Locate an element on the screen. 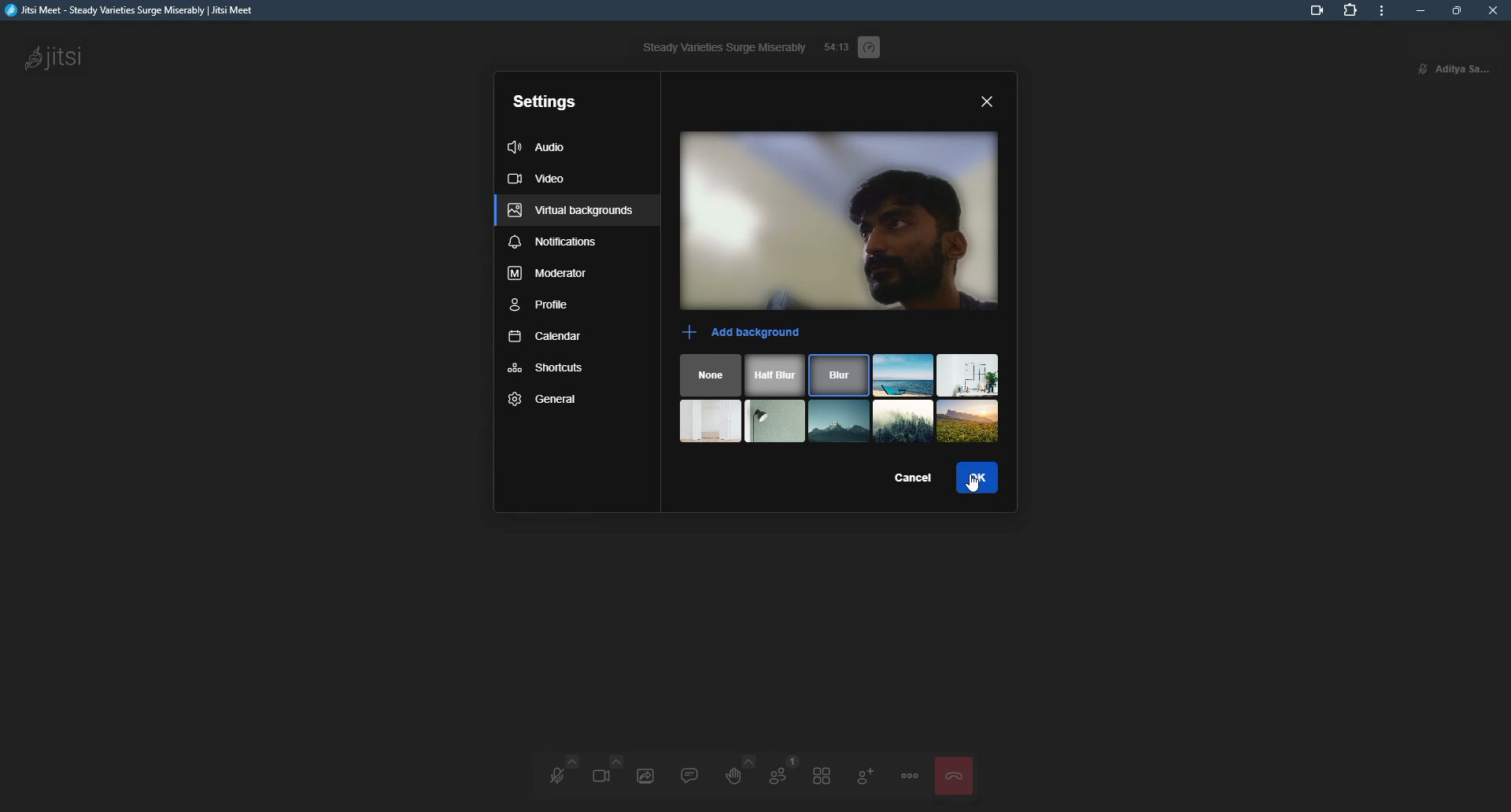  maximize is located at coordinates (1456, 10).